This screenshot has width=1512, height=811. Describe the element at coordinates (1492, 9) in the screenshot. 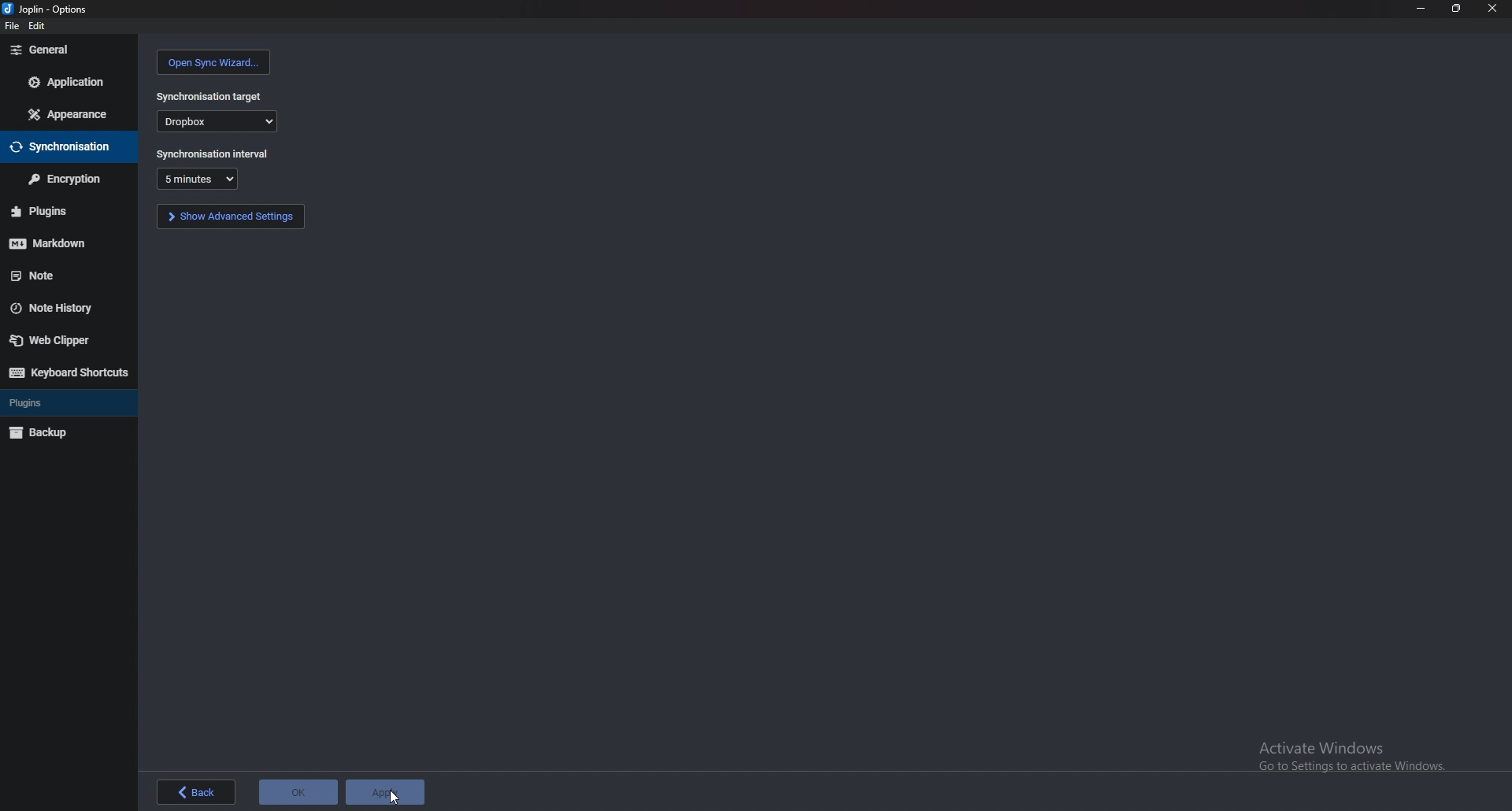

I see `close` at that location.